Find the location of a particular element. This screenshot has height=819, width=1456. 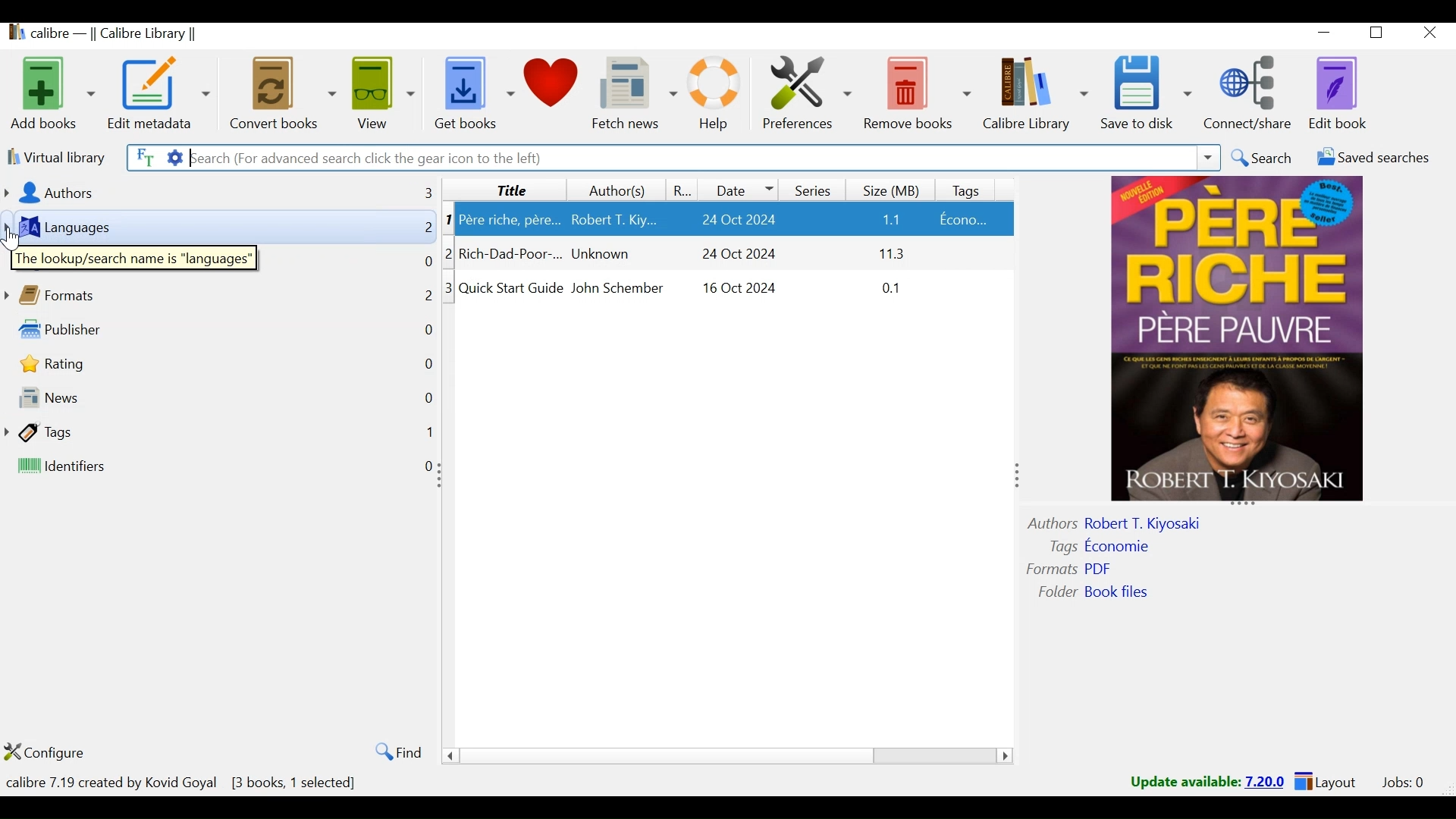

Minimize is located at coordinates (1326, 35).